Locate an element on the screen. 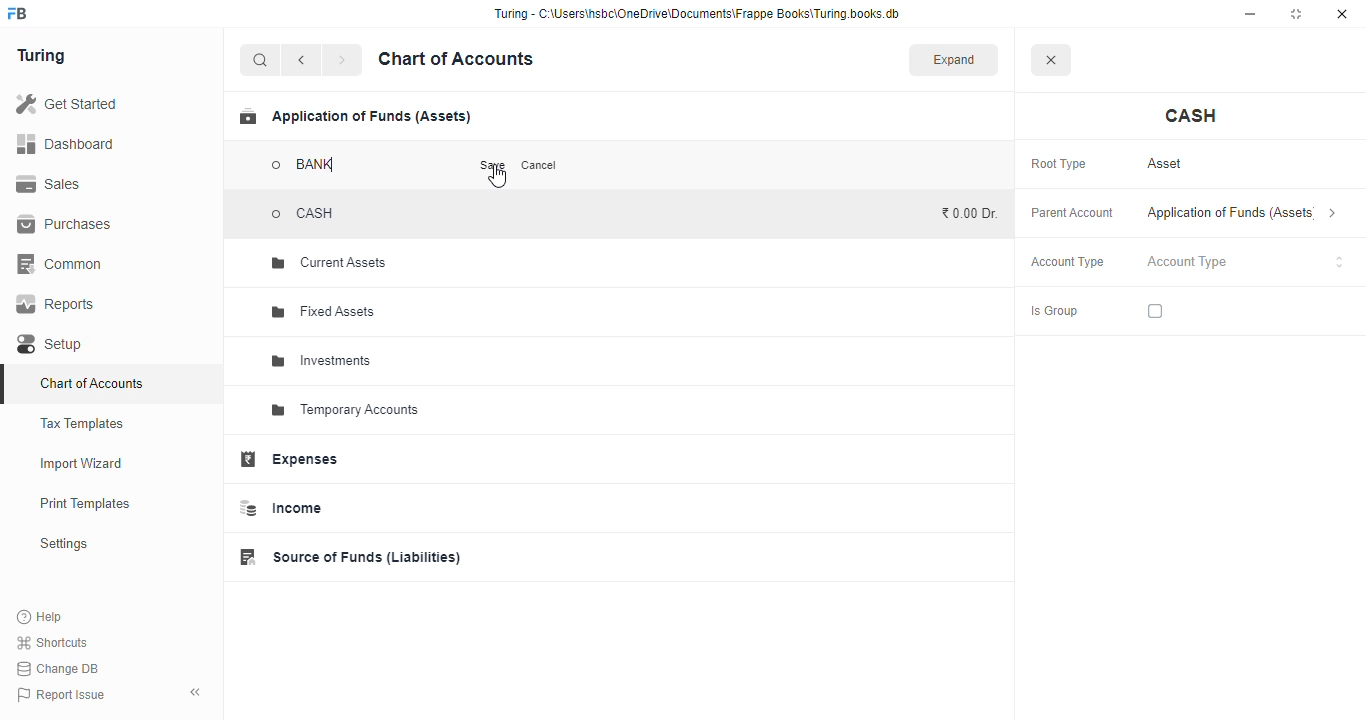 Image resolution: width=1366 pixels, height=720 pixels. investments is located at coordinates (321, 361).